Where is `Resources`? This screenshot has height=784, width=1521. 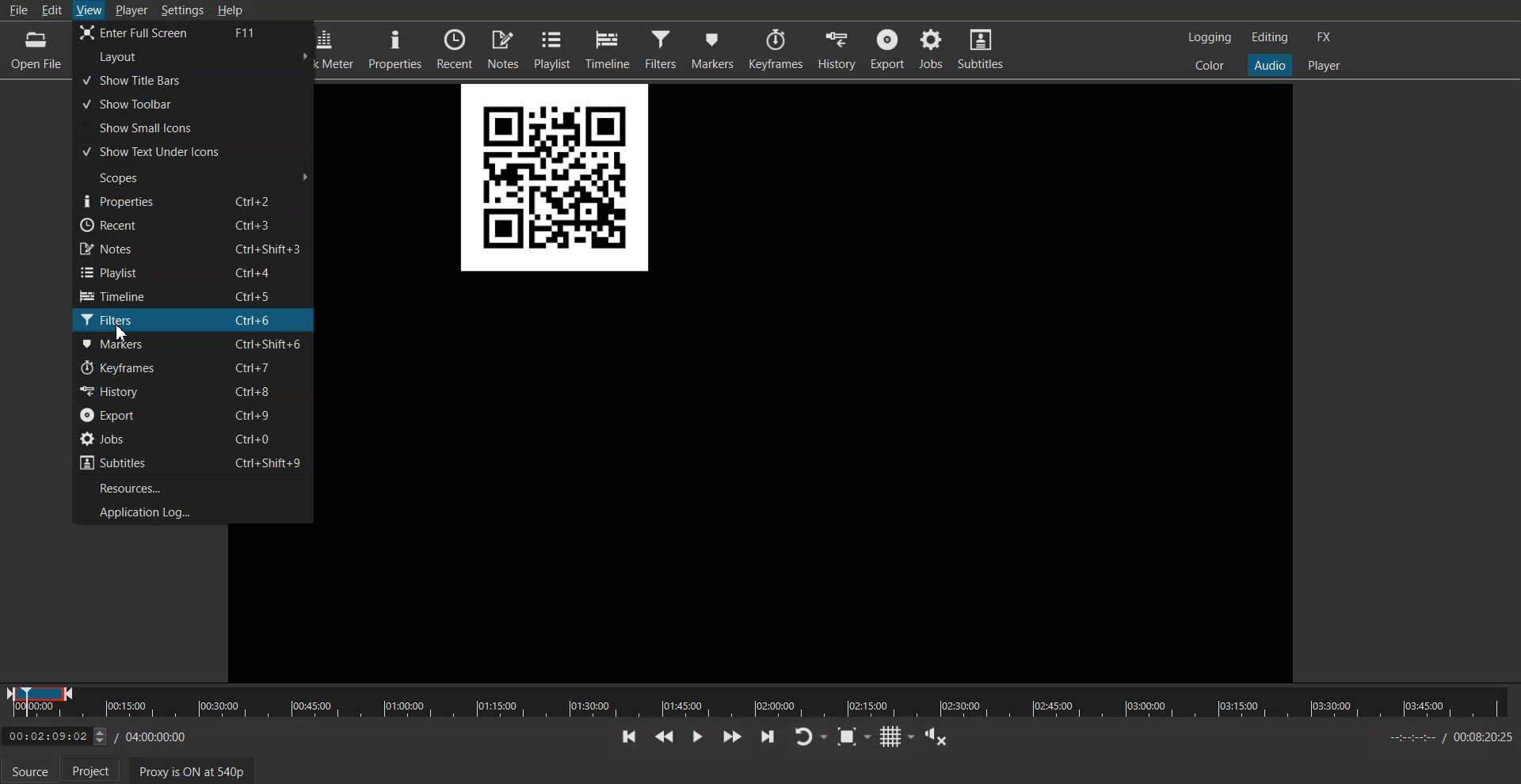
Resources is located at coordinates (193, 487).